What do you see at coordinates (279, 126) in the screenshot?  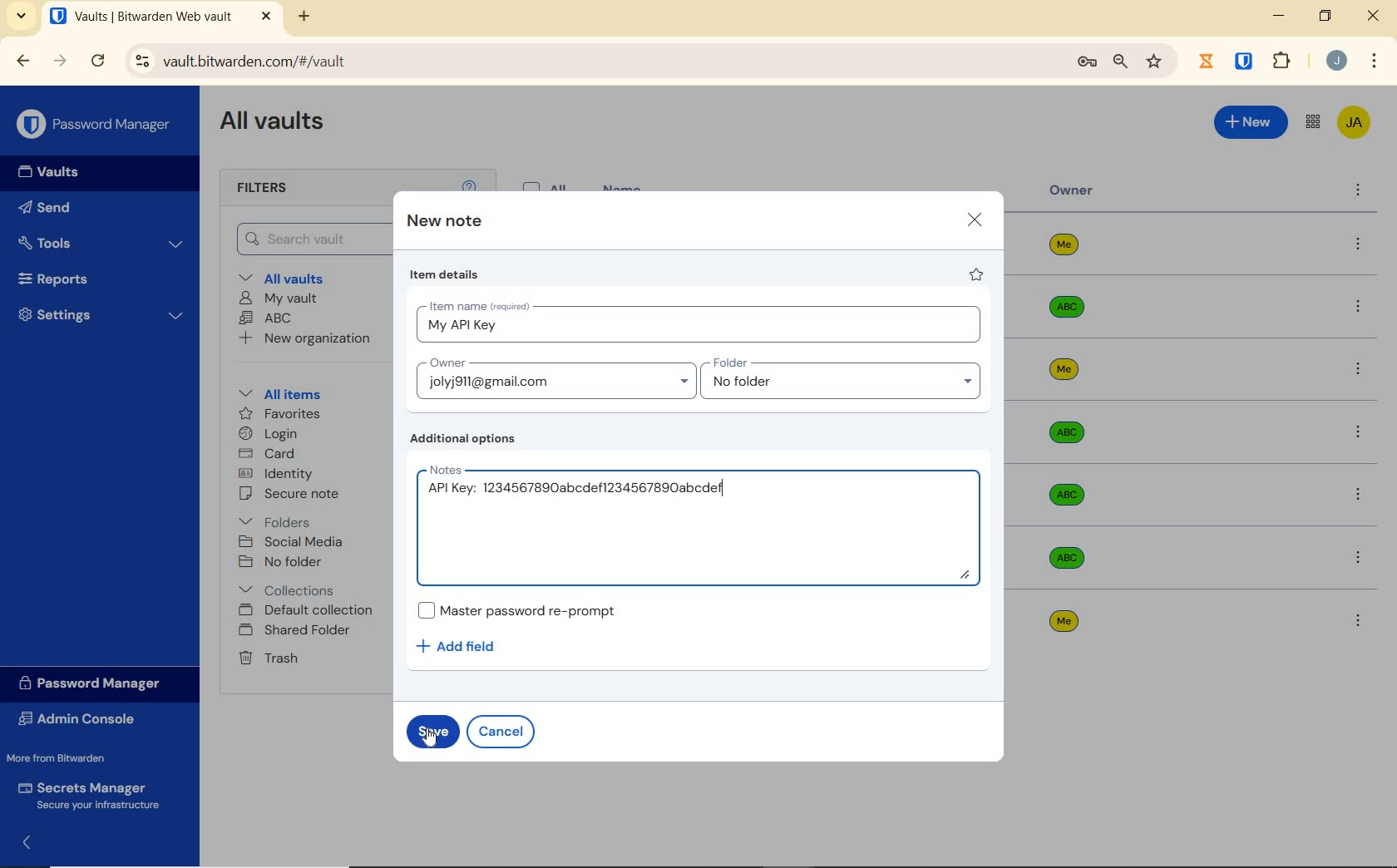 I see `All Vaults` at bounding box center [279, 126].